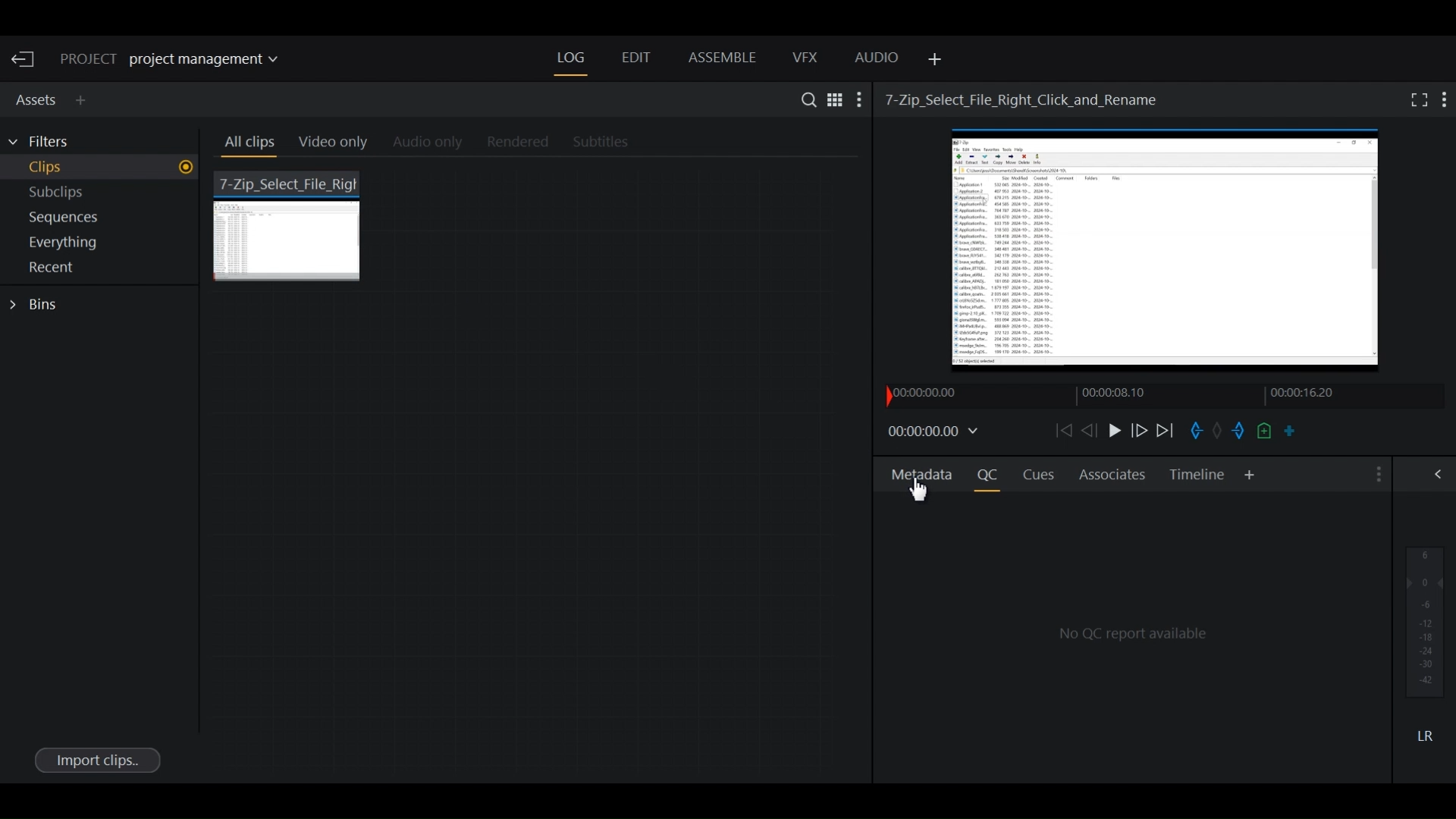  I want to click on Move Forward, so click(1170, 431).